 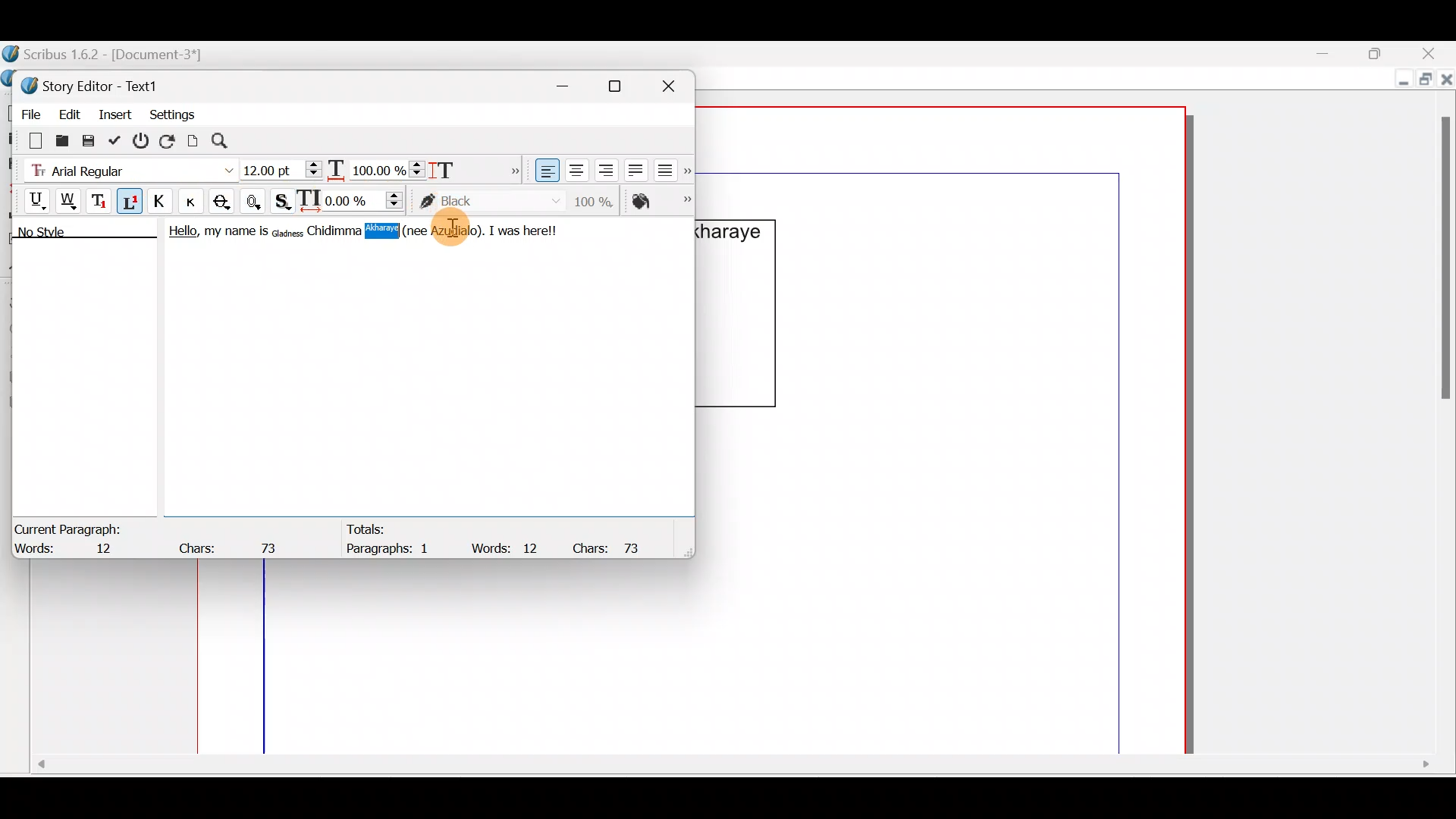 I want to click on Insert , so click(x=116, y=113).